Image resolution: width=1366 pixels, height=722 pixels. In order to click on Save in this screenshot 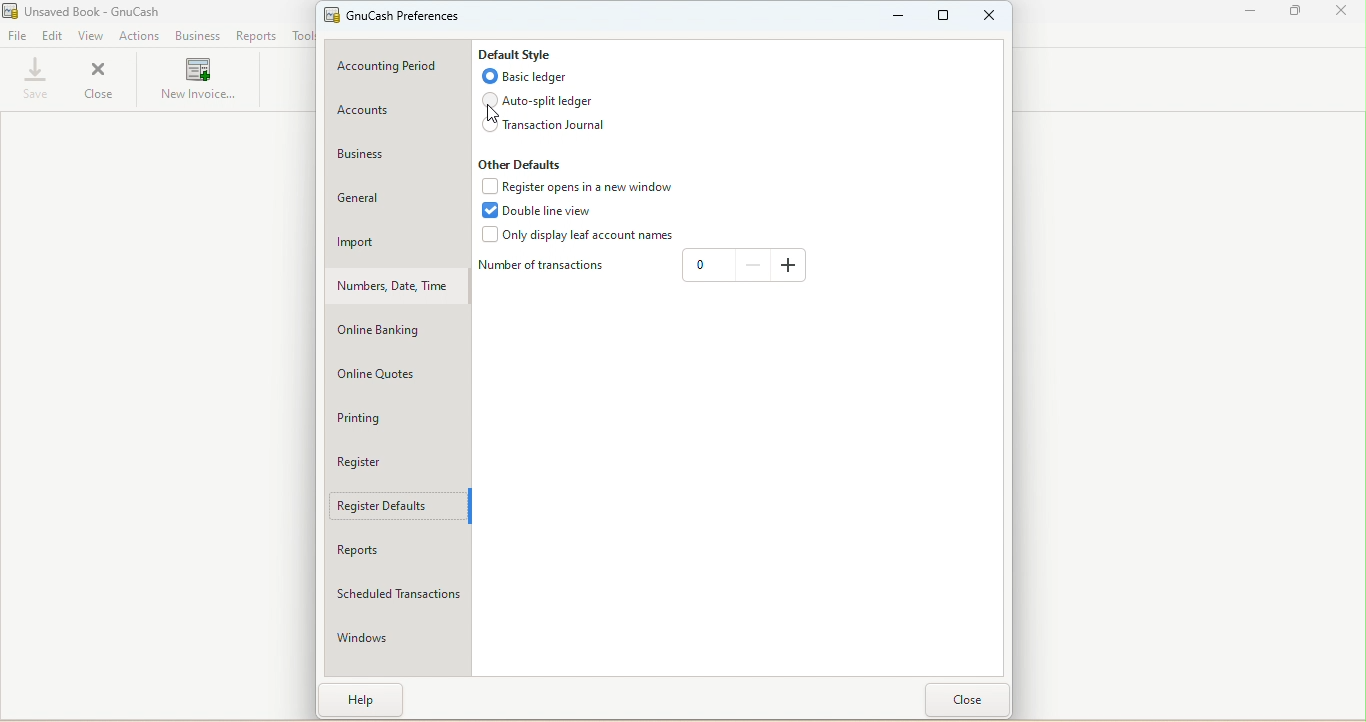, I will do `click(34, 81)`.